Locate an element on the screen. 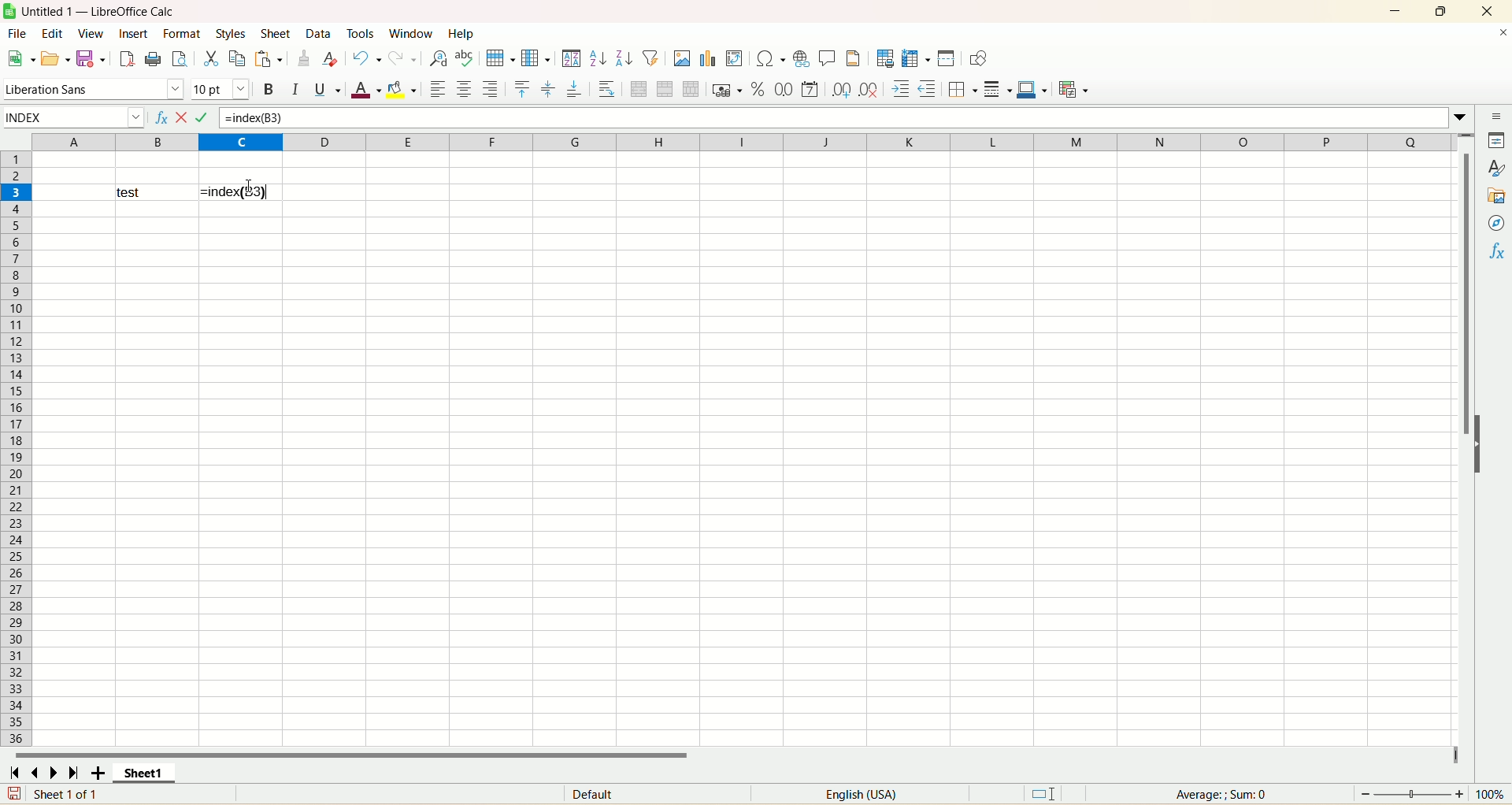 The width and height of the screenshot is (1512, 805). merge is located at coordinates (665, 89).